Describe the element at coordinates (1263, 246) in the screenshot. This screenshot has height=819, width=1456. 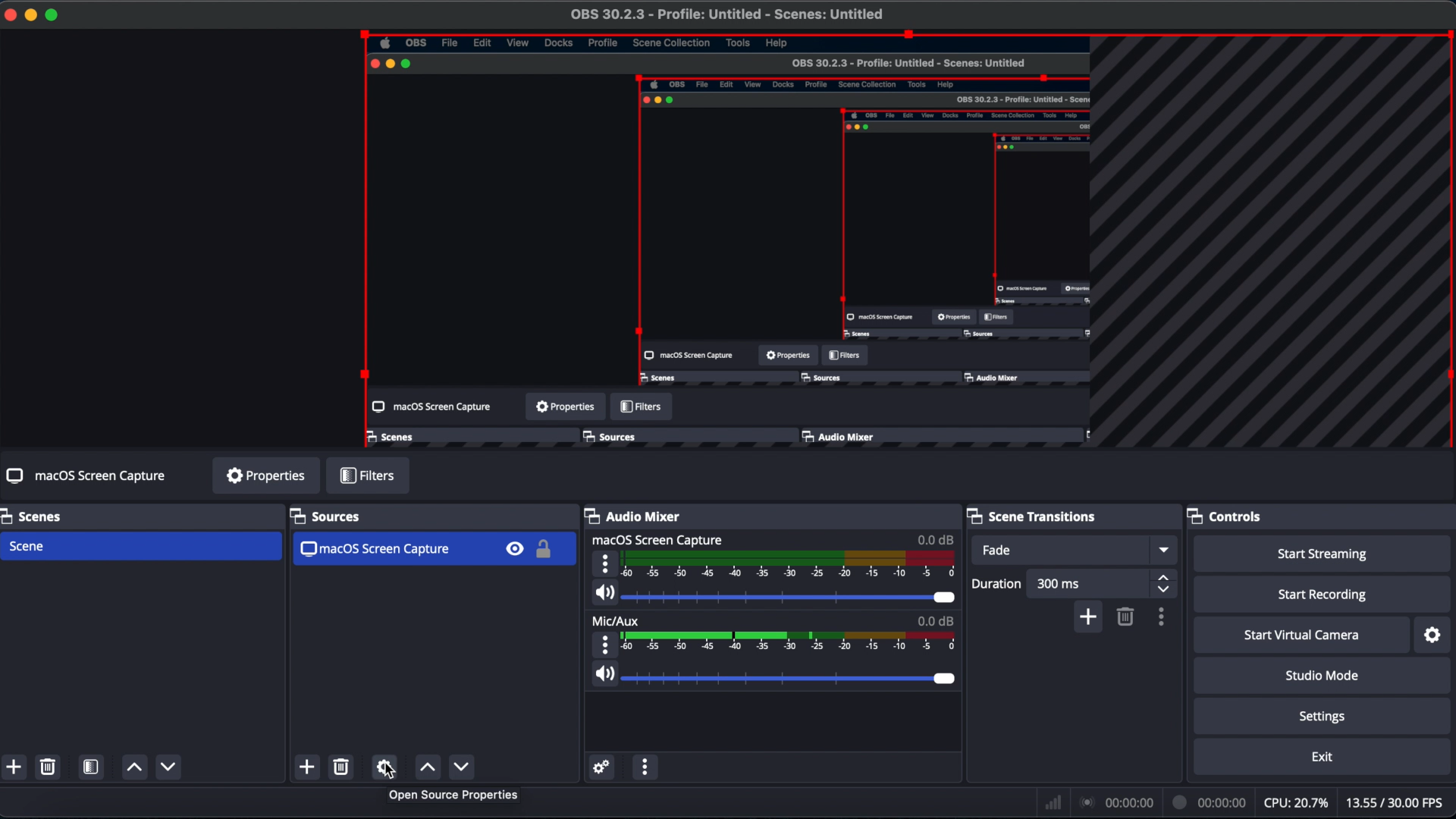
I see `overflow indicators` at that location.